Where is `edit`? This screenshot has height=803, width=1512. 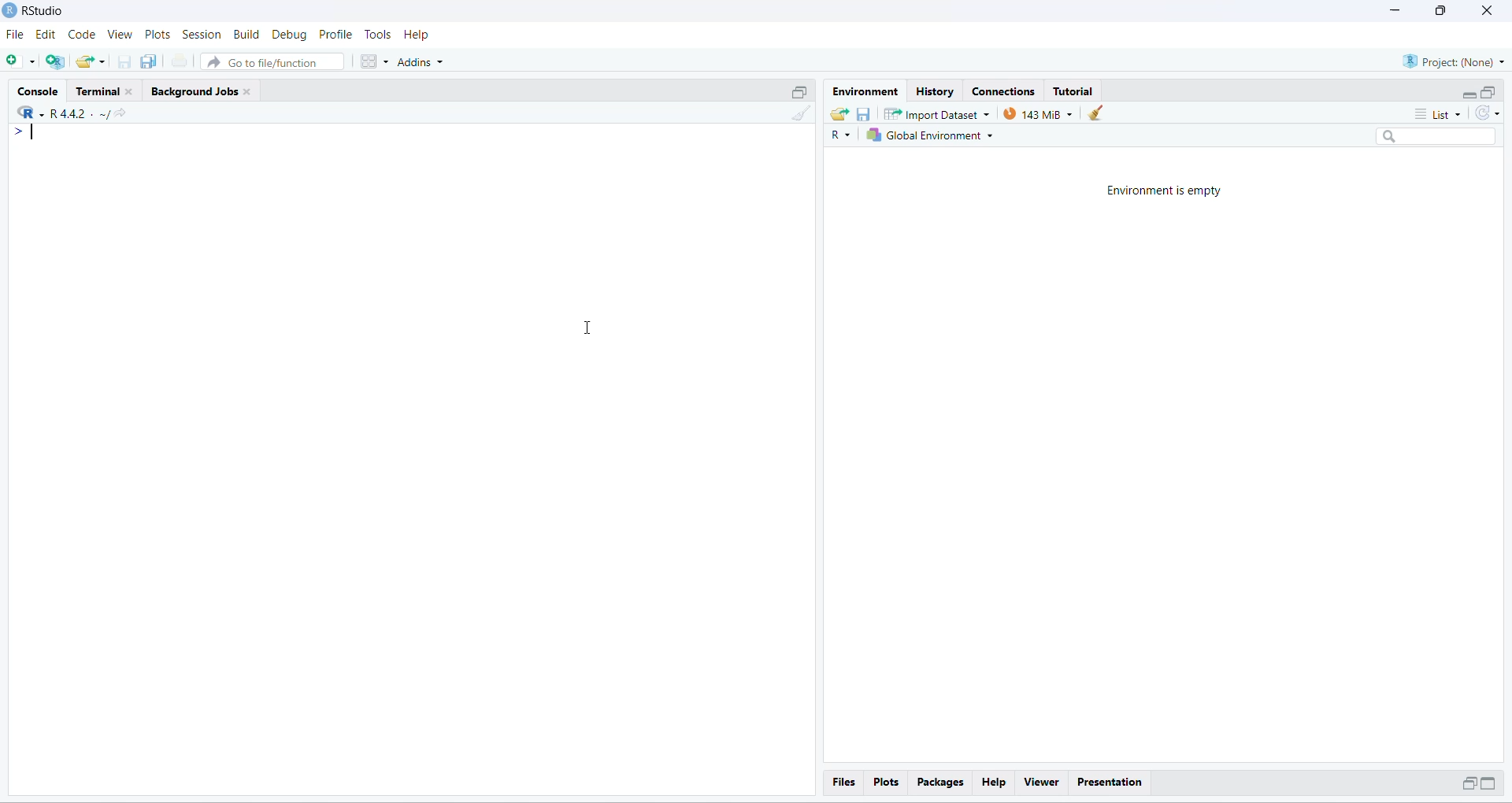 edit is located at coordinates (46, 35).